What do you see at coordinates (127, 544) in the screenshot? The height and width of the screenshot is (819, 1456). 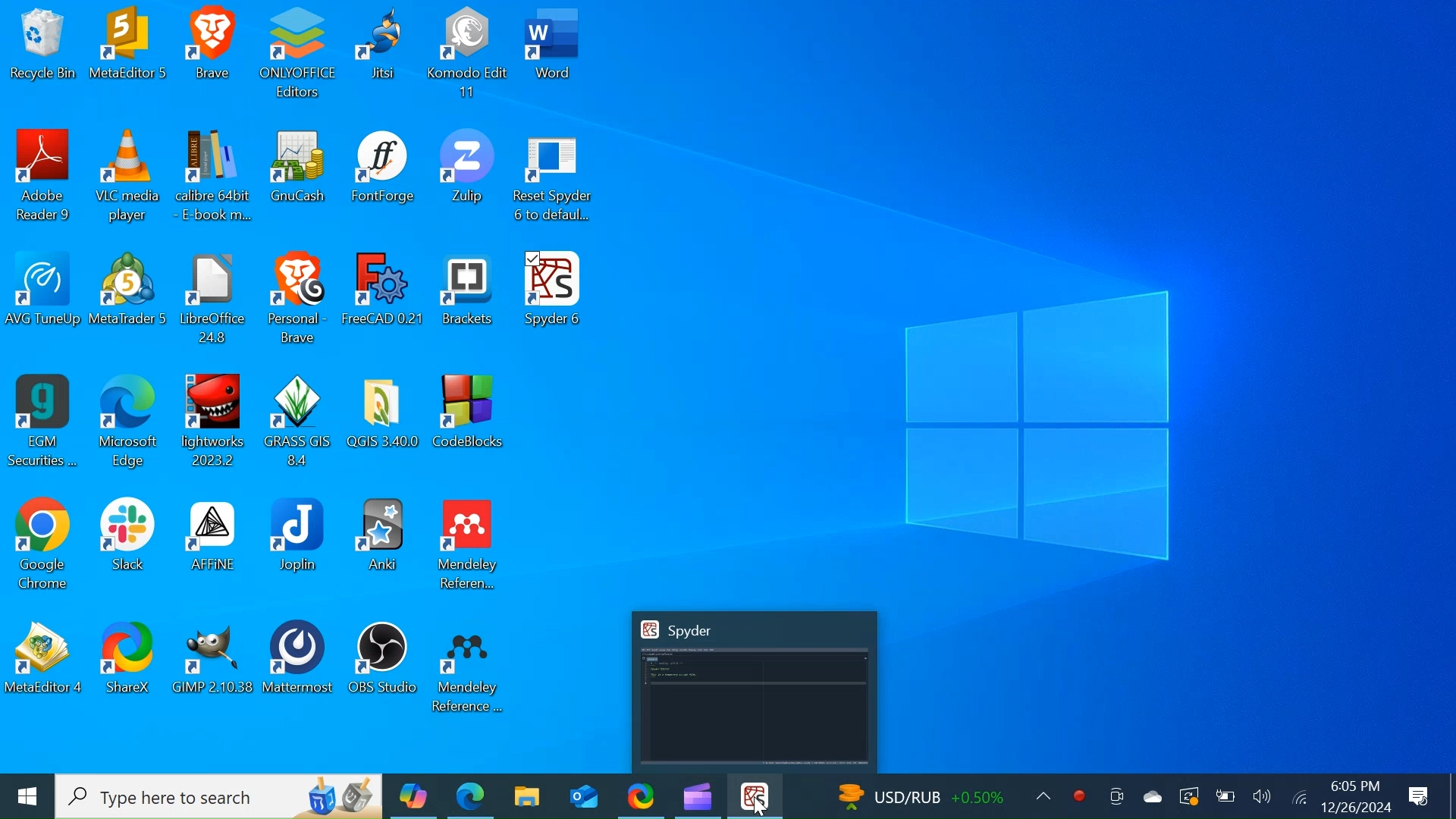 I see `slack Desktop Icon` at bounding box center [127, 544].